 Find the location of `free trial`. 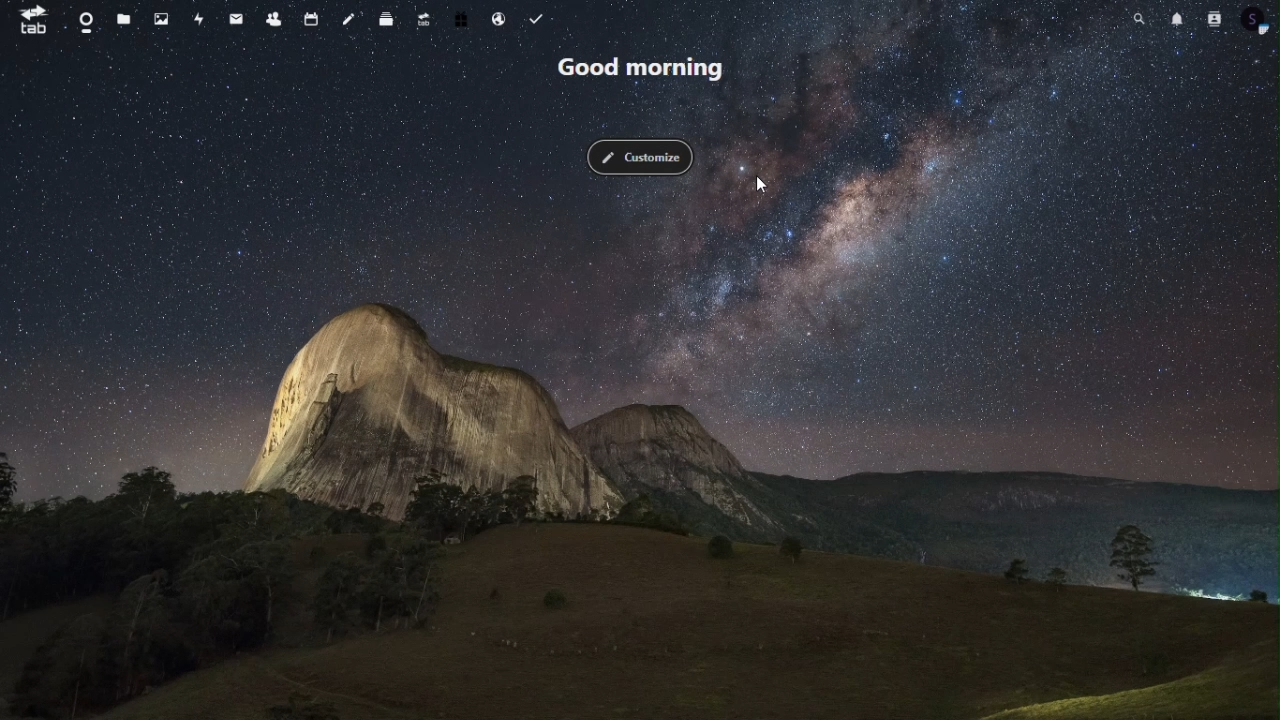

free trial is located at coordinates (464, 17).